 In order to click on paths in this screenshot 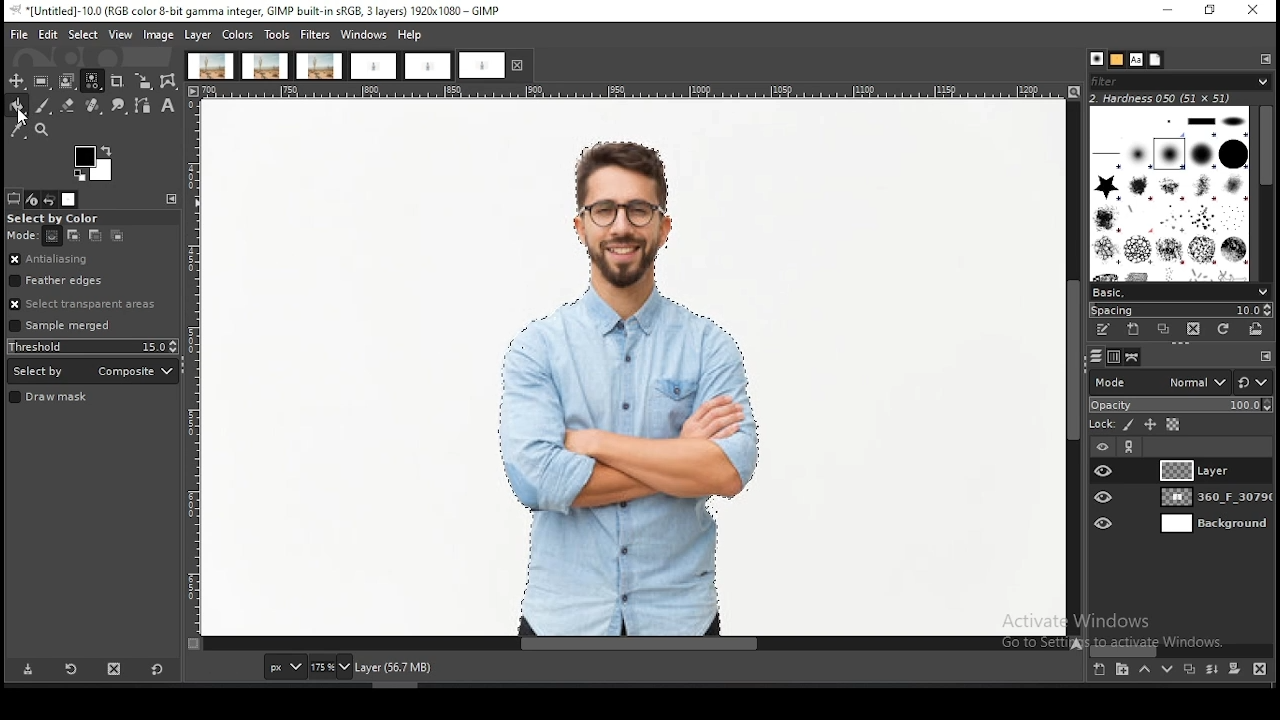, I will do `click(1135, 357)`.